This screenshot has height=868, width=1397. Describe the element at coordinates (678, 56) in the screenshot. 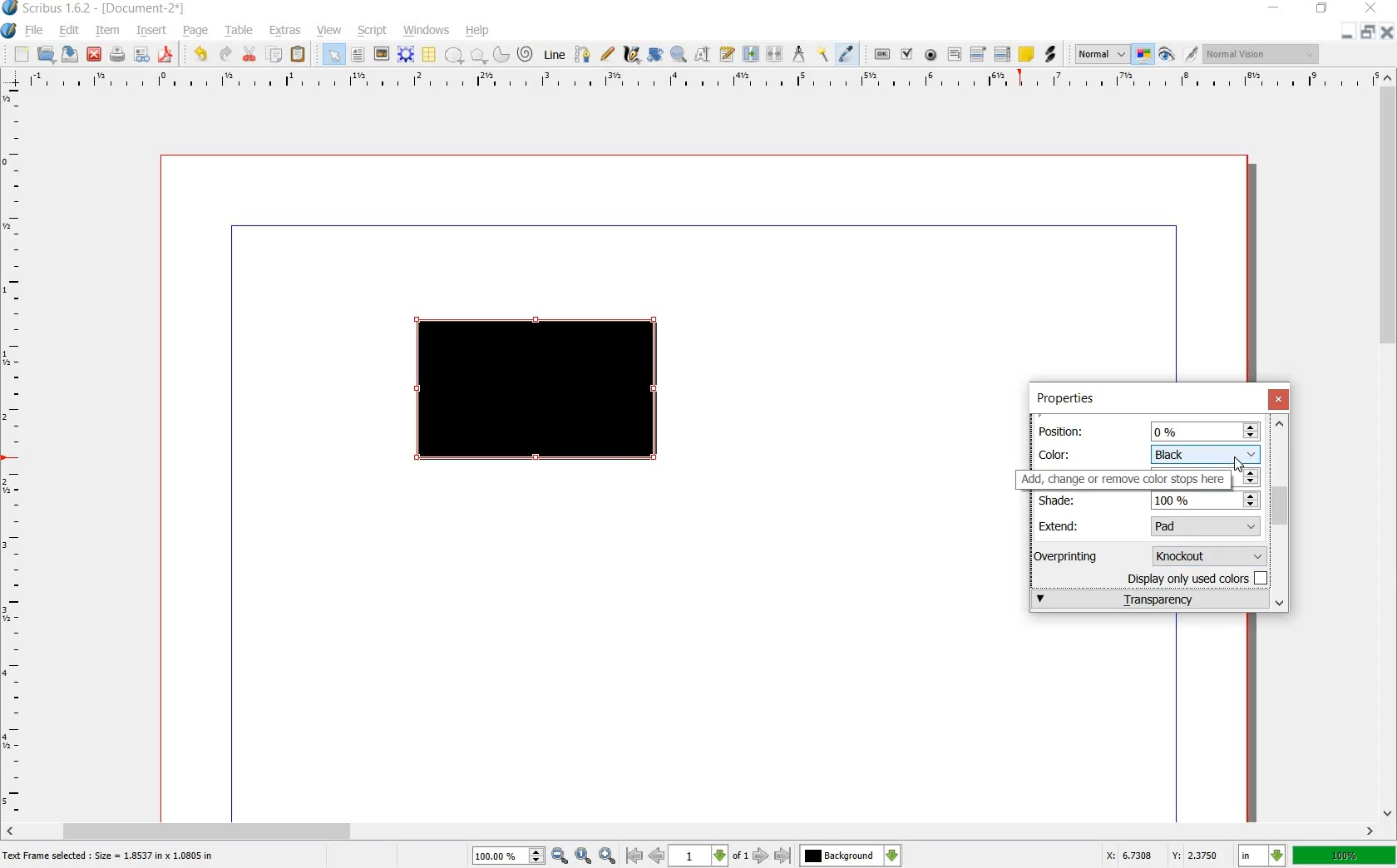

I see `zoom in or out` at that location.